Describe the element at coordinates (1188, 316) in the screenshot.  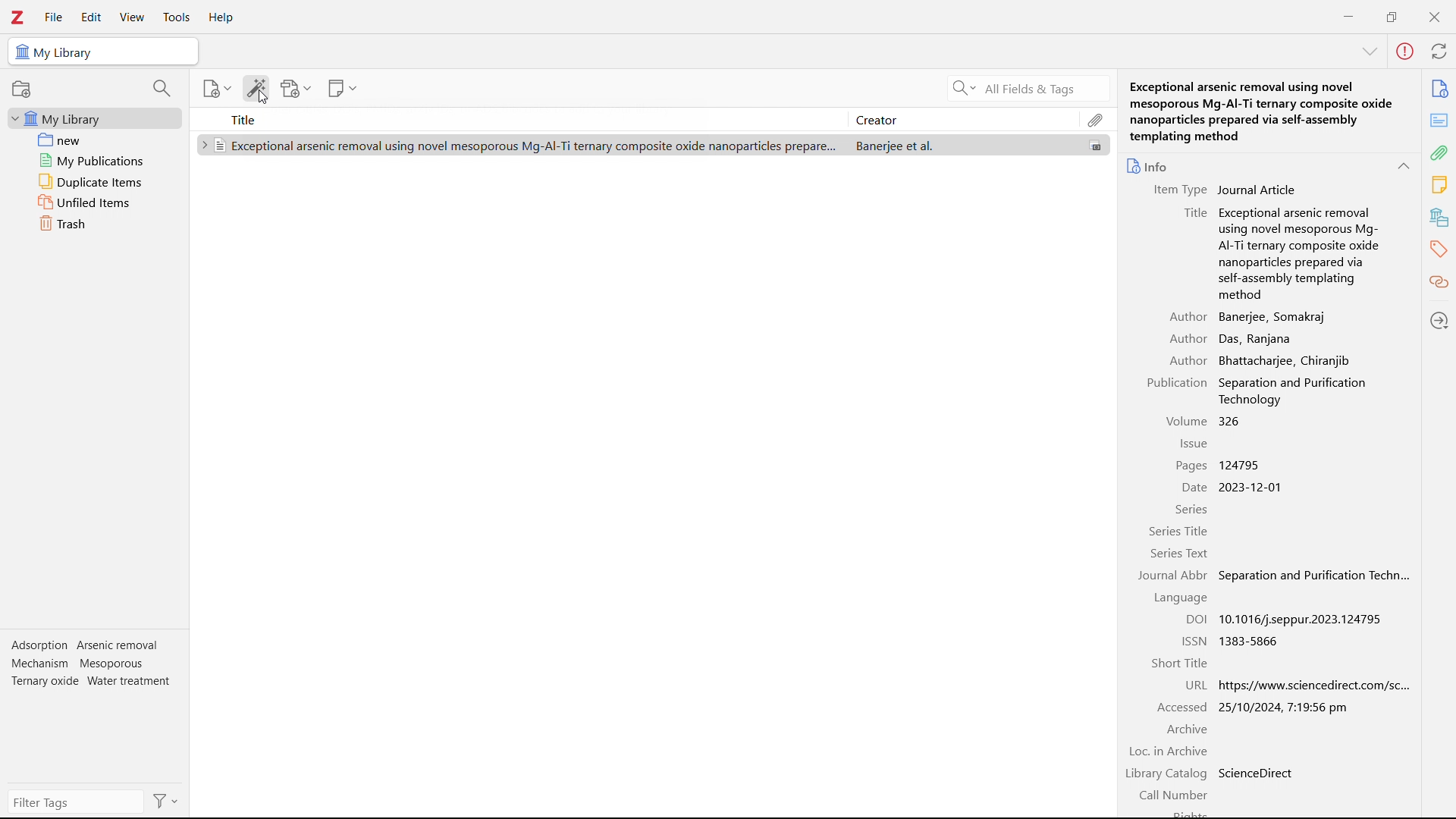
I see `Author` at that location.